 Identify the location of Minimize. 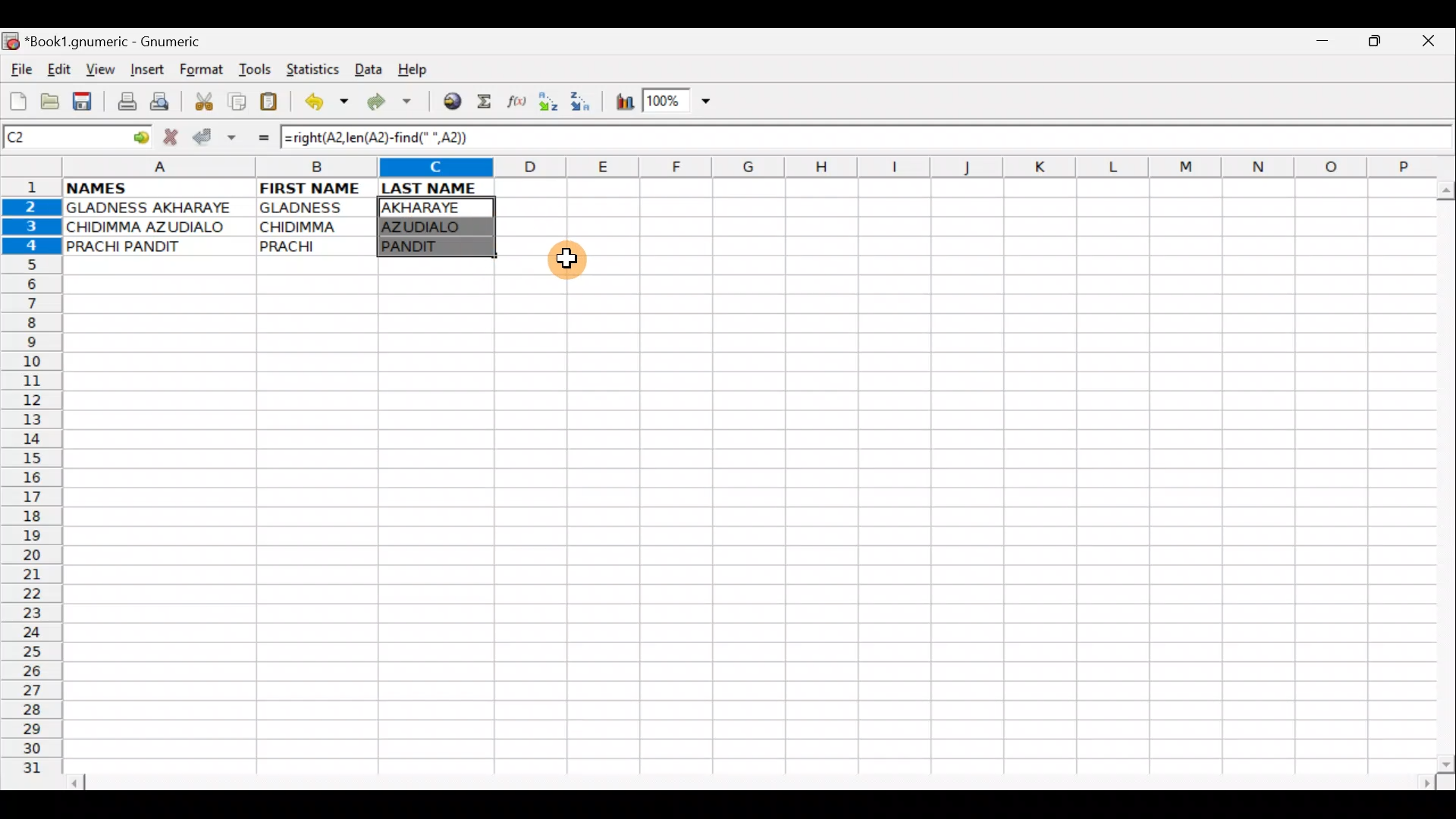
(1319, 45).